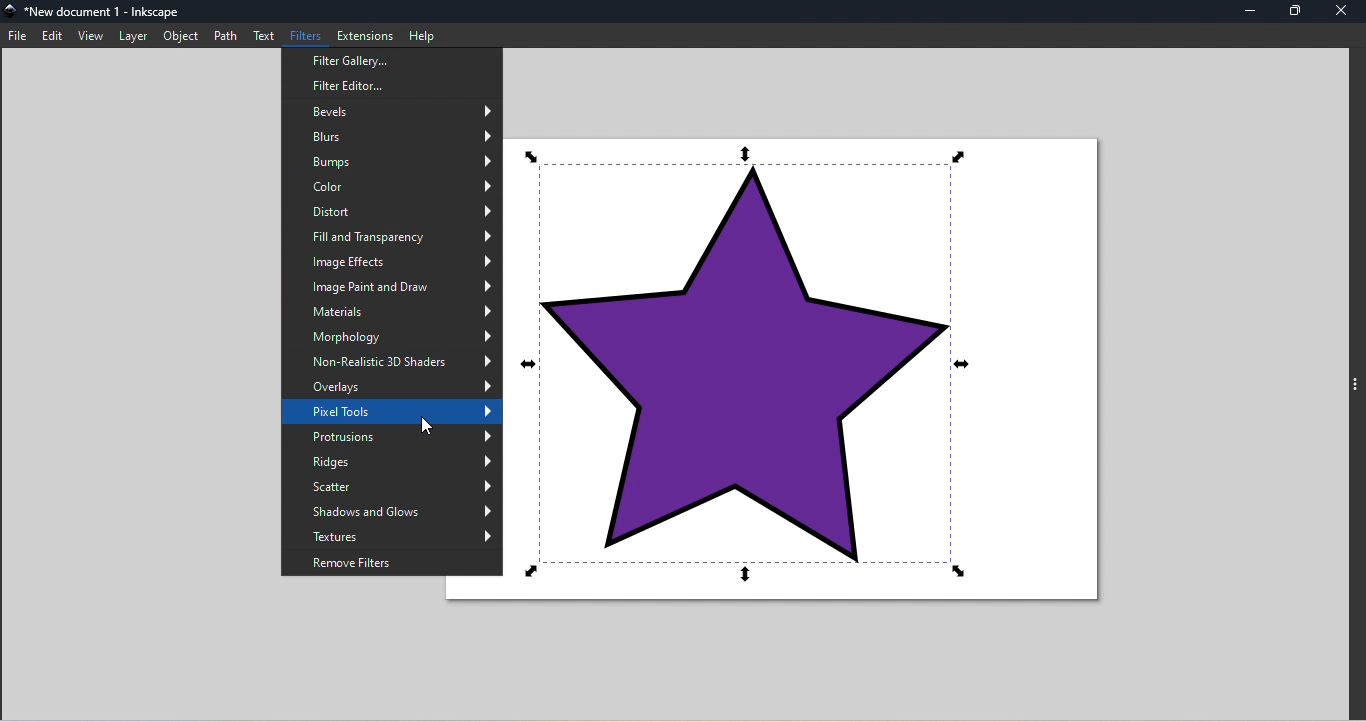 The width and height of the screenshot is (1366, 722). Describe the element at coordinates (182, 37) in the screenshot. I see `Object` at that location.